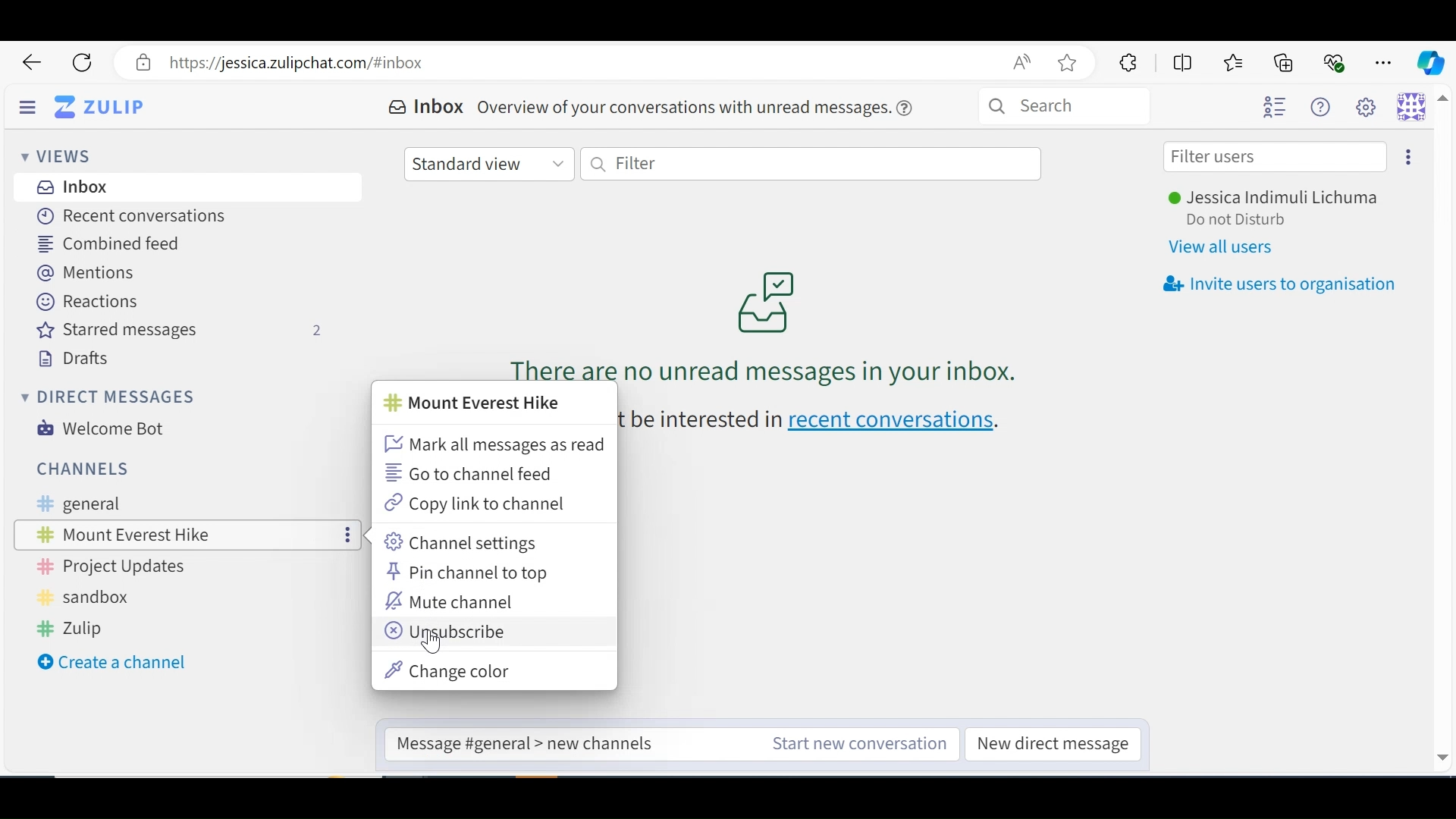  I want to click on Status, so click(1250, 221).